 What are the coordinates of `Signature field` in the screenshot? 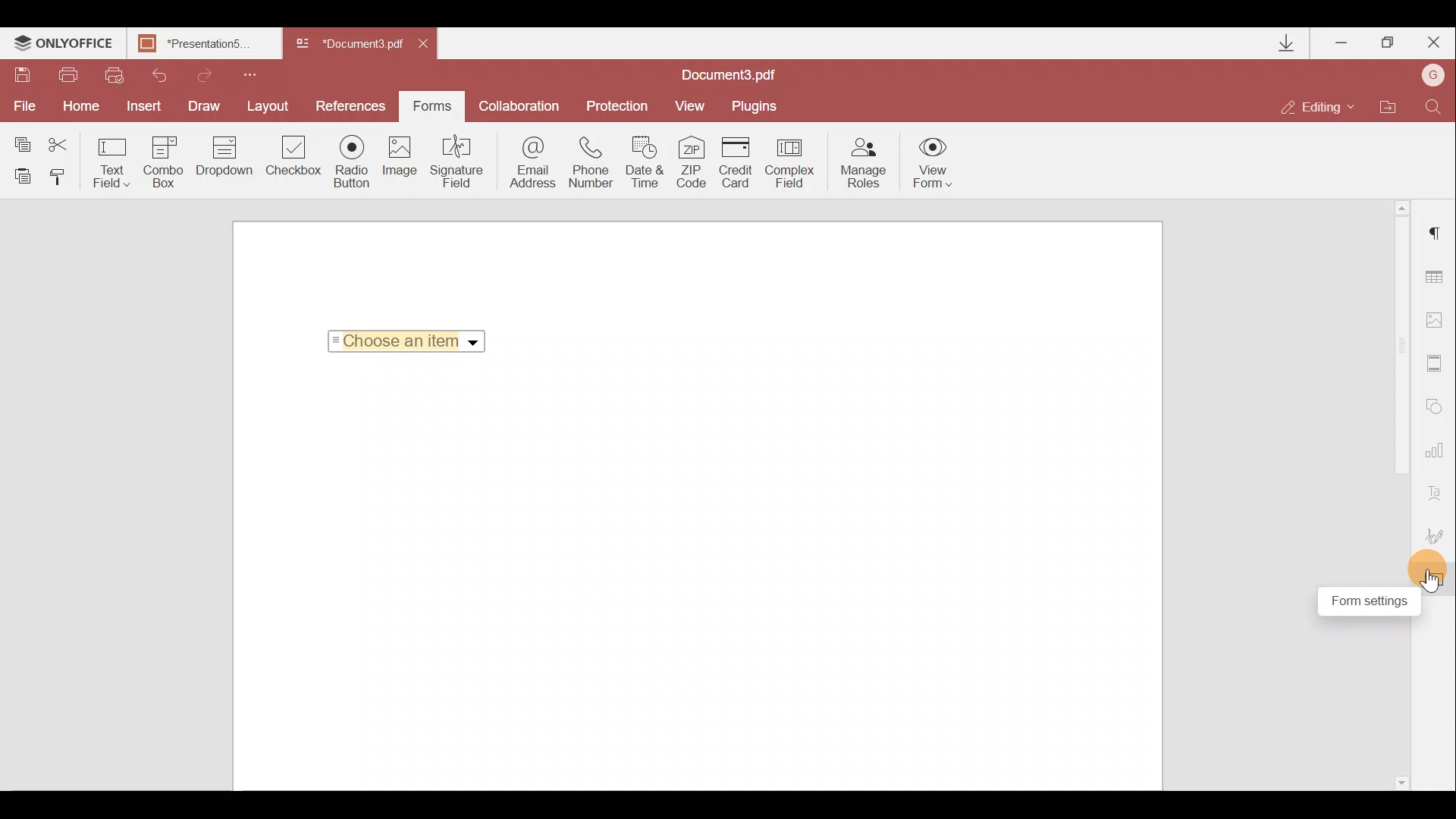 It's located at (453, 161).